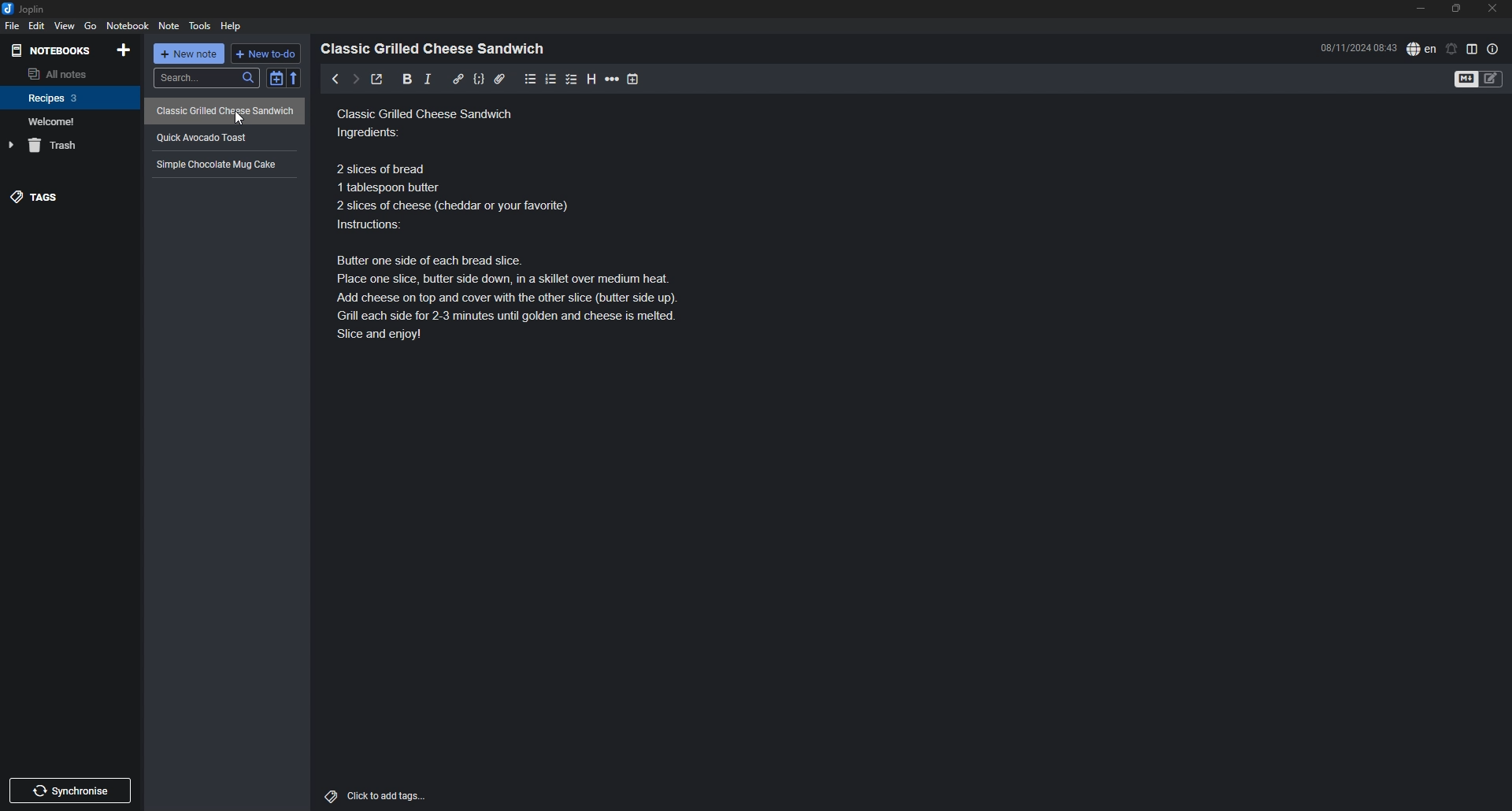  Describe the element at coordinates (378, 79) in the screenshot. I see `toggle external editor` at that location.